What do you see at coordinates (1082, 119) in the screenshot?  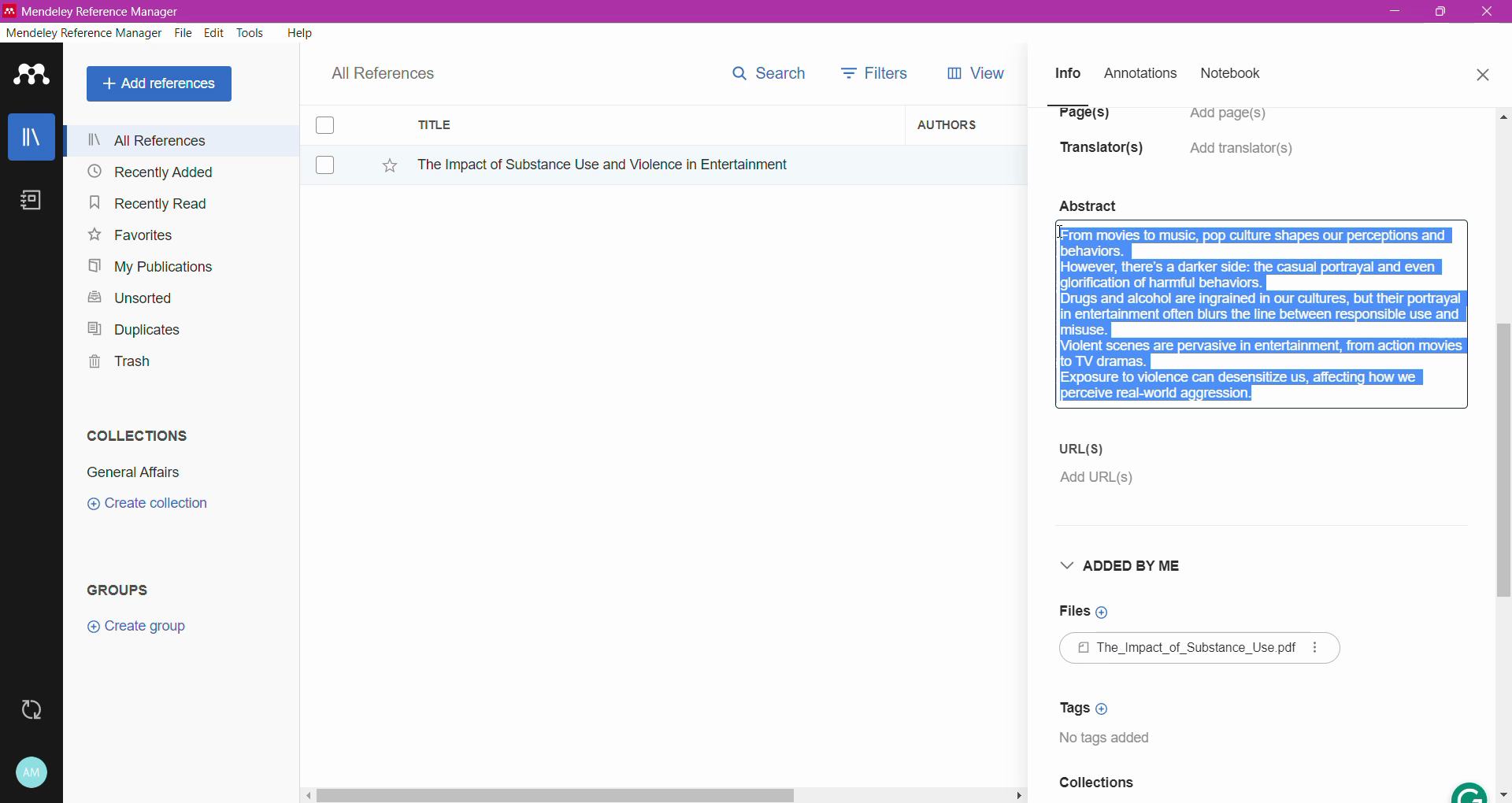 I see `Page(s)` at bounding box center [1082, 119].